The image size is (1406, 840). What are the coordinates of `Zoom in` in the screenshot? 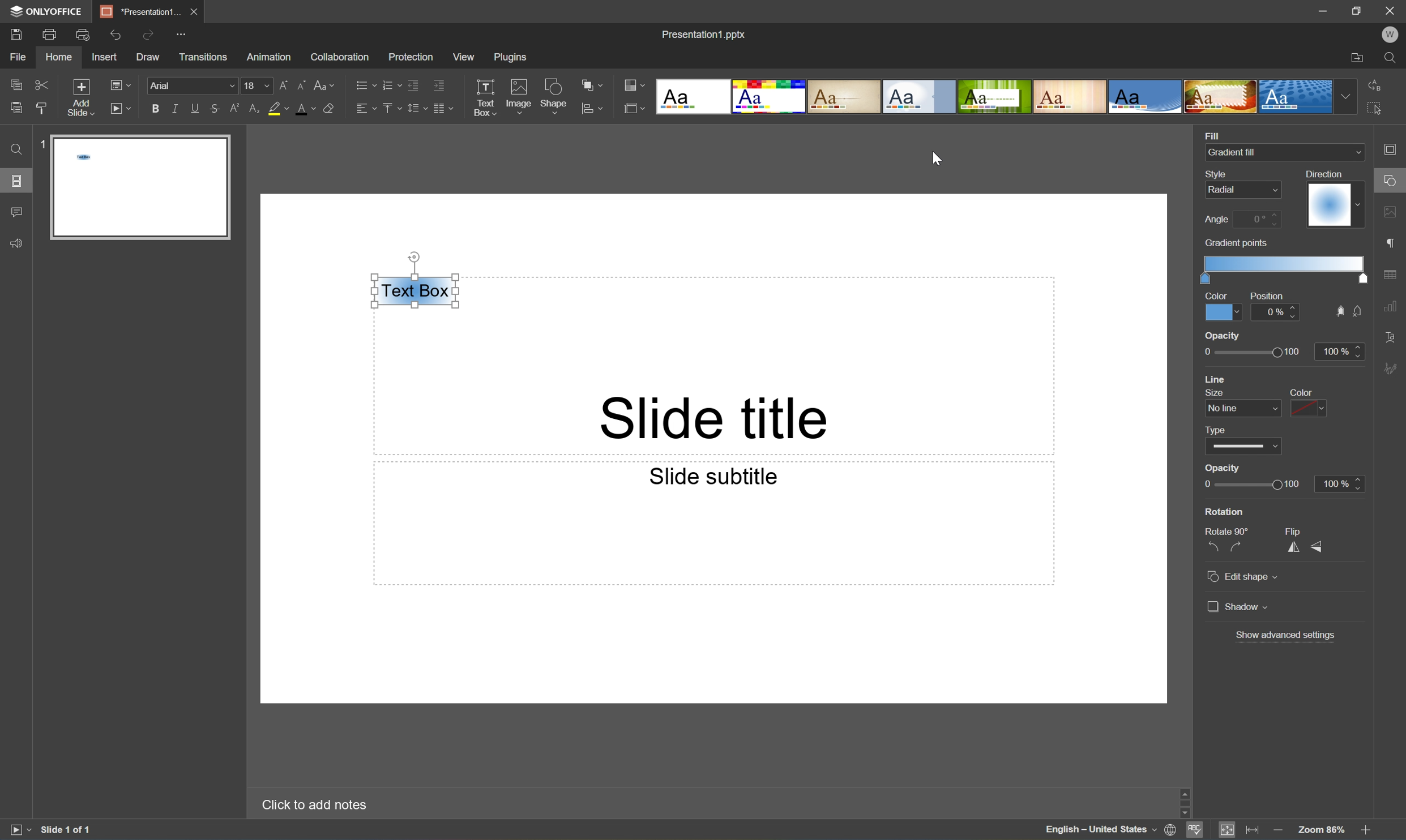 It's located at (1369, 831).